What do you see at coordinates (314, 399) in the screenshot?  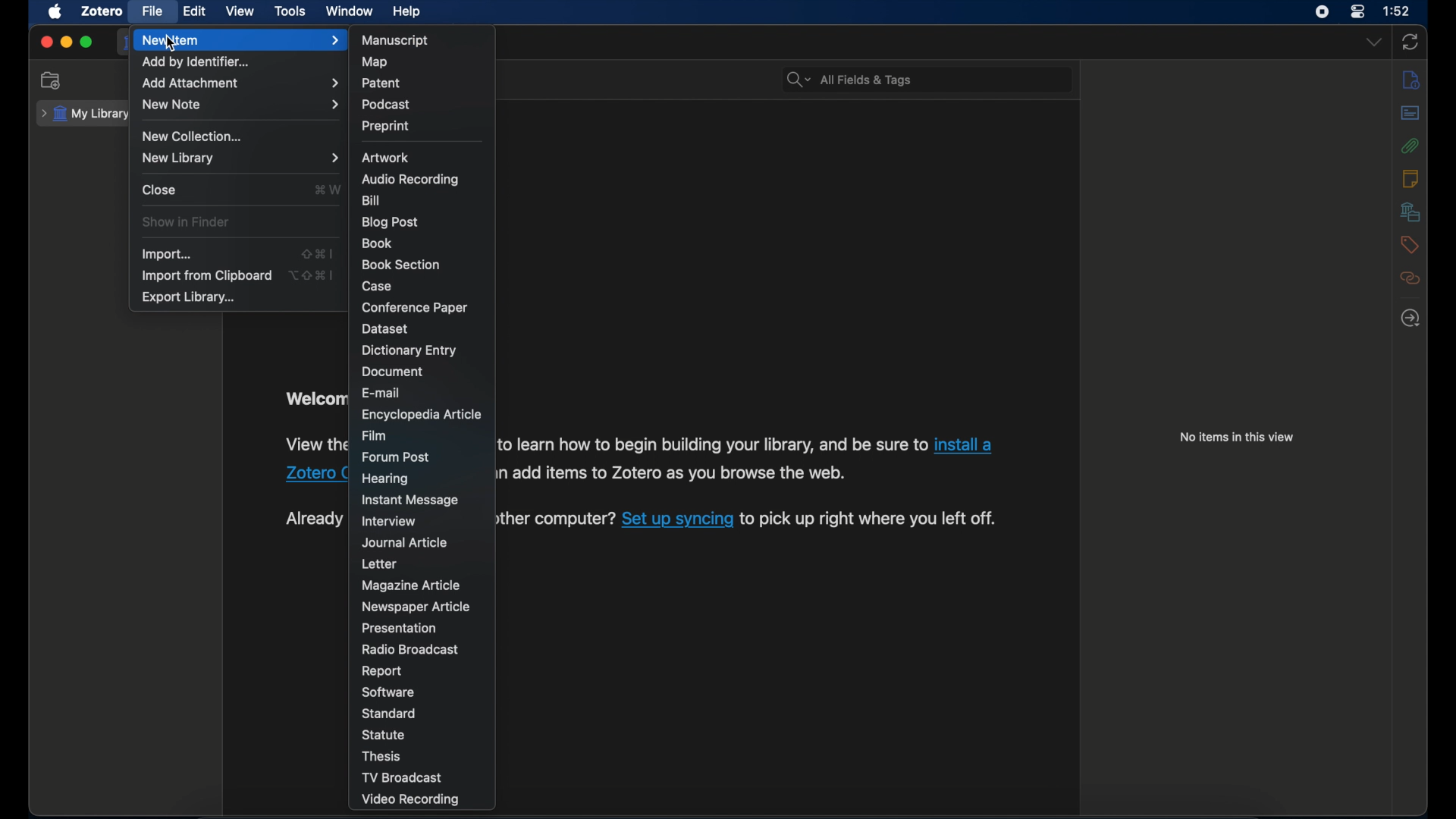 I see `welcome to zotero` at bounding box center [314, 399].